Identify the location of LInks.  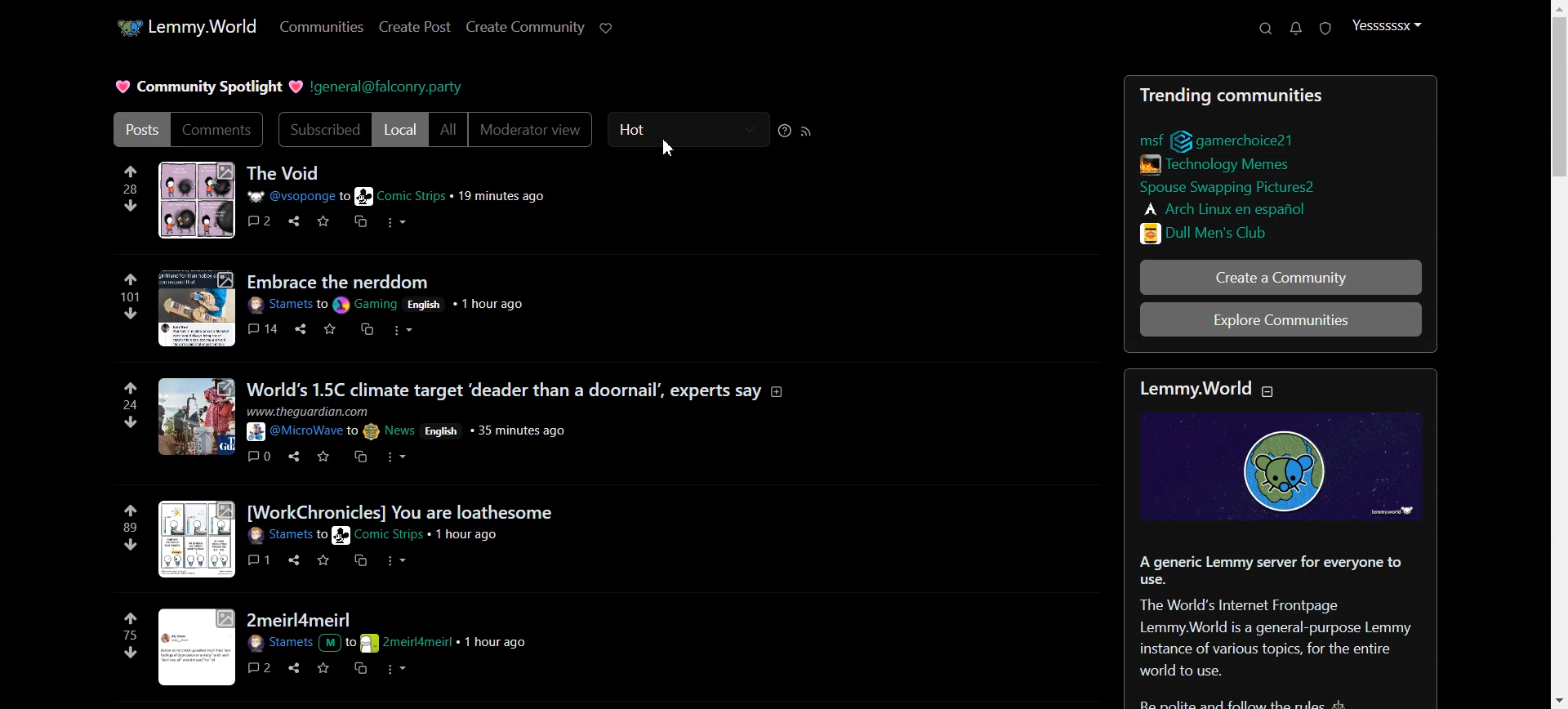
(1224, 207).